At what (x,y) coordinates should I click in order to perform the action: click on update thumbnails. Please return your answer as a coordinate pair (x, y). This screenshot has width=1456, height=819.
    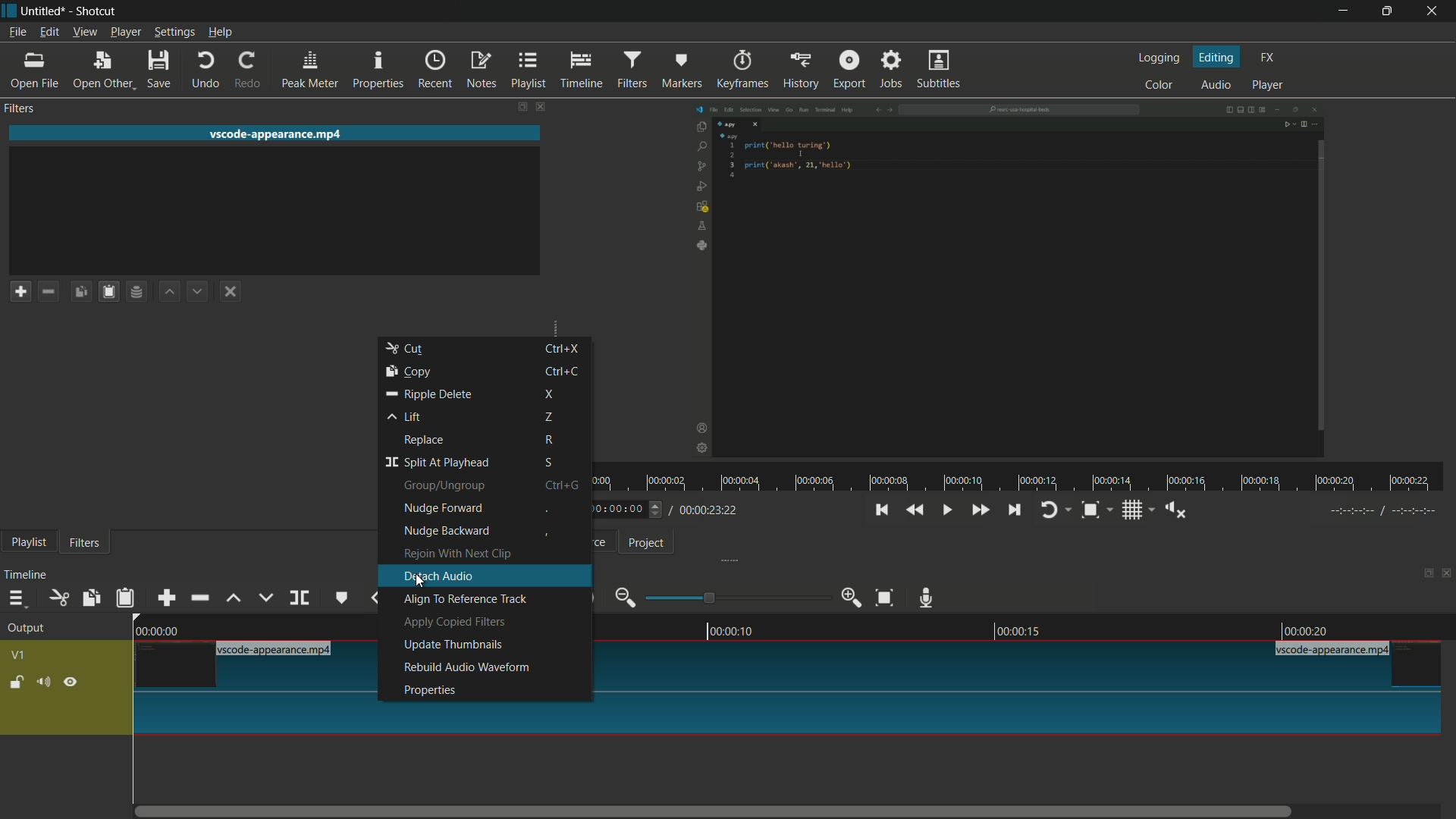
    Looking at the image, I should click on (453, 645).